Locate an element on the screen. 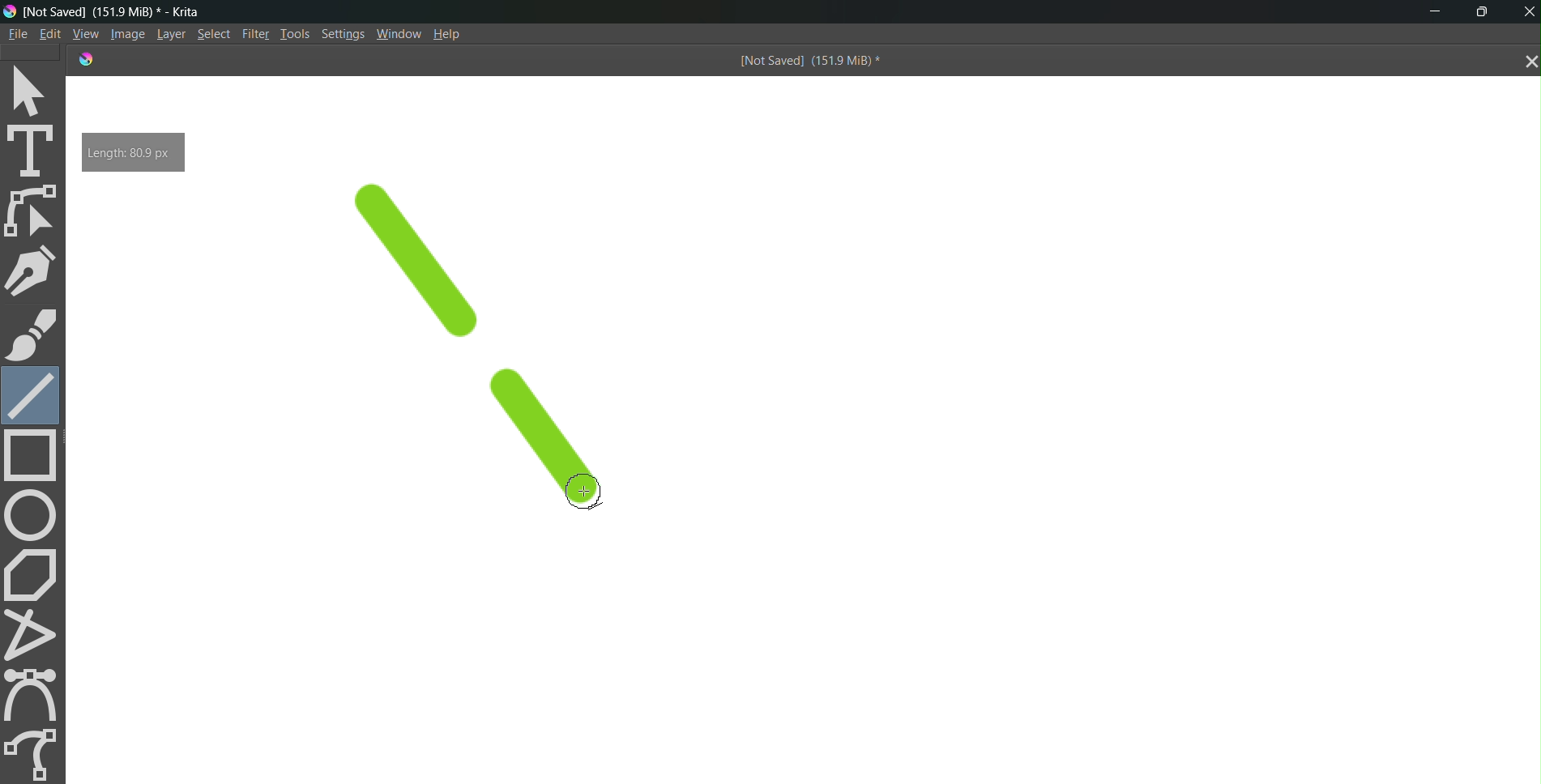  Edit is located at coordinates (50, 34).